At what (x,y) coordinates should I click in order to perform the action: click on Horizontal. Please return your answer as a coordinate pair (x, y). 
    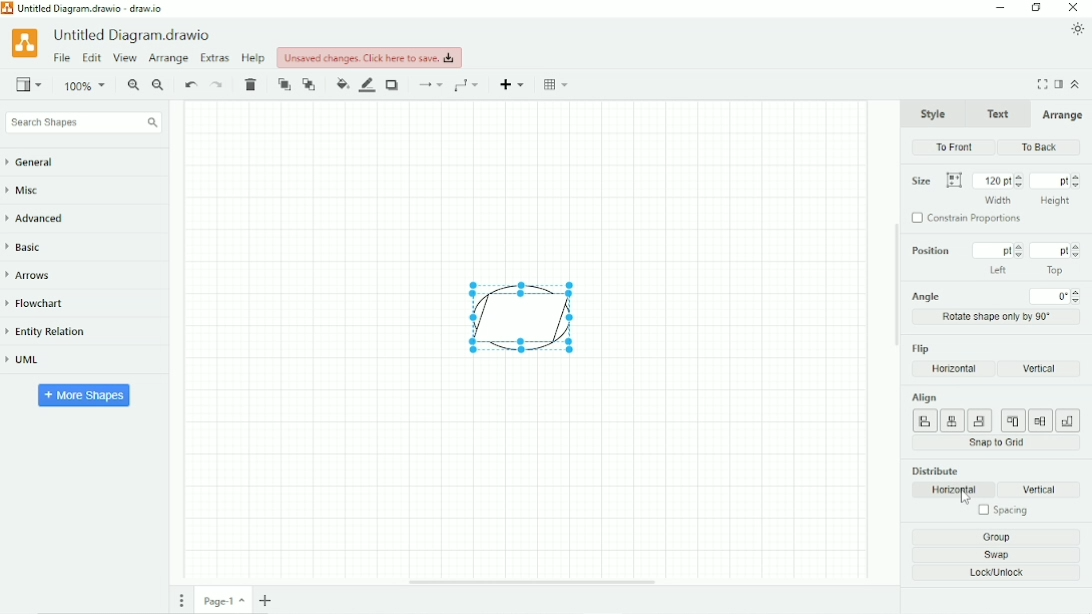
    Looking at the image, I should click on (955, 490).